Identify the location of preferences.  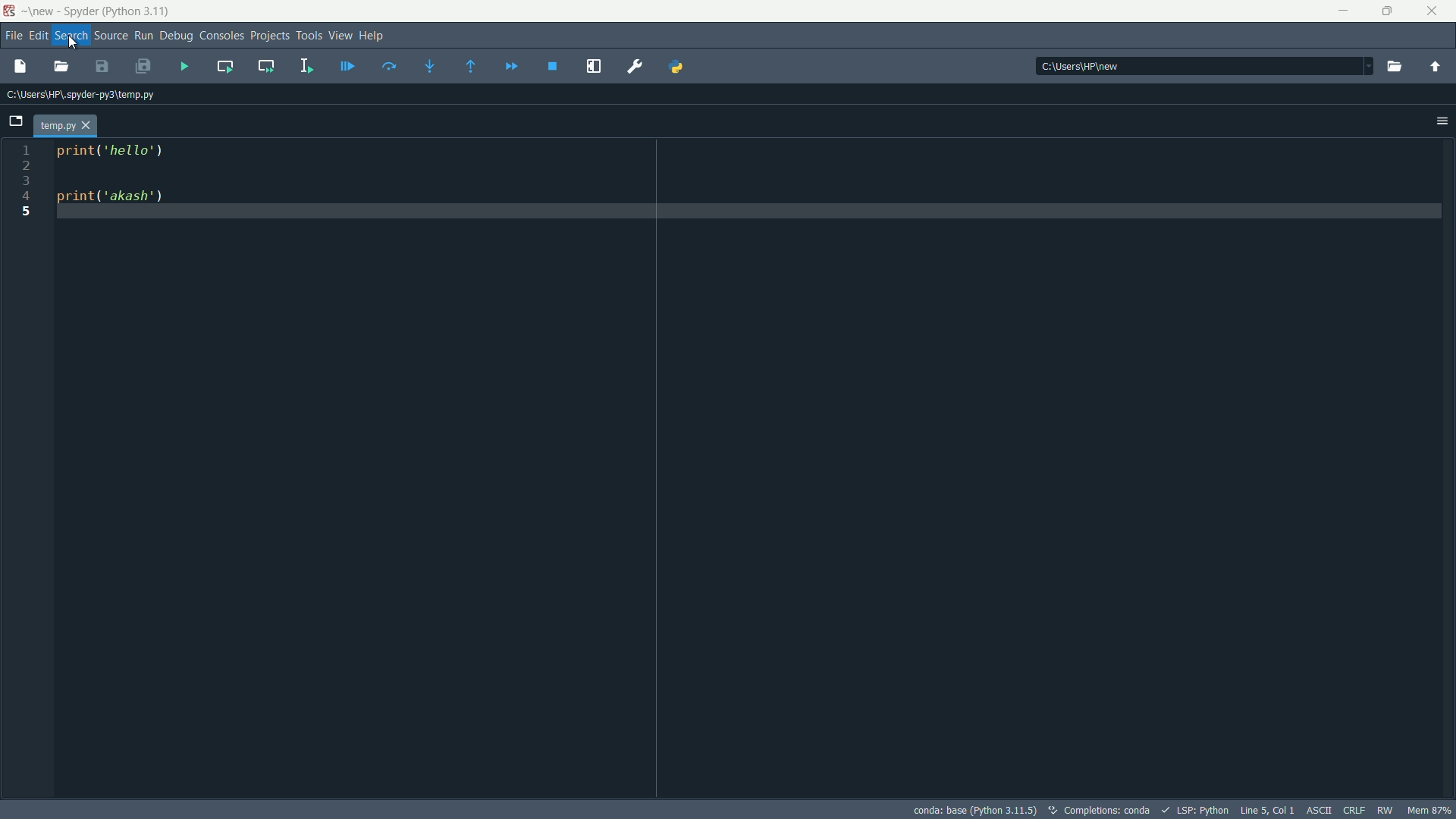
(636, 67).